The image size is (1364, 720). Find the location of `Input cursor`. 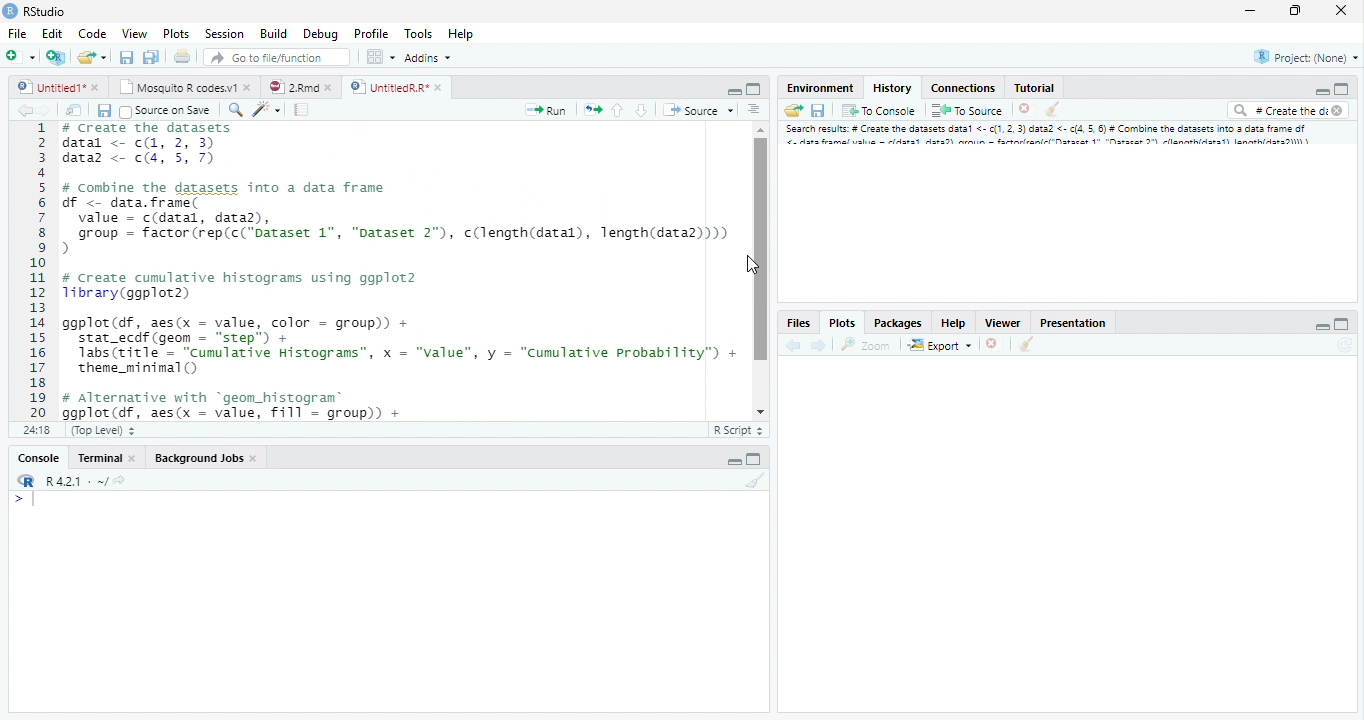

Input cursor is located at coordinates (30, 500).